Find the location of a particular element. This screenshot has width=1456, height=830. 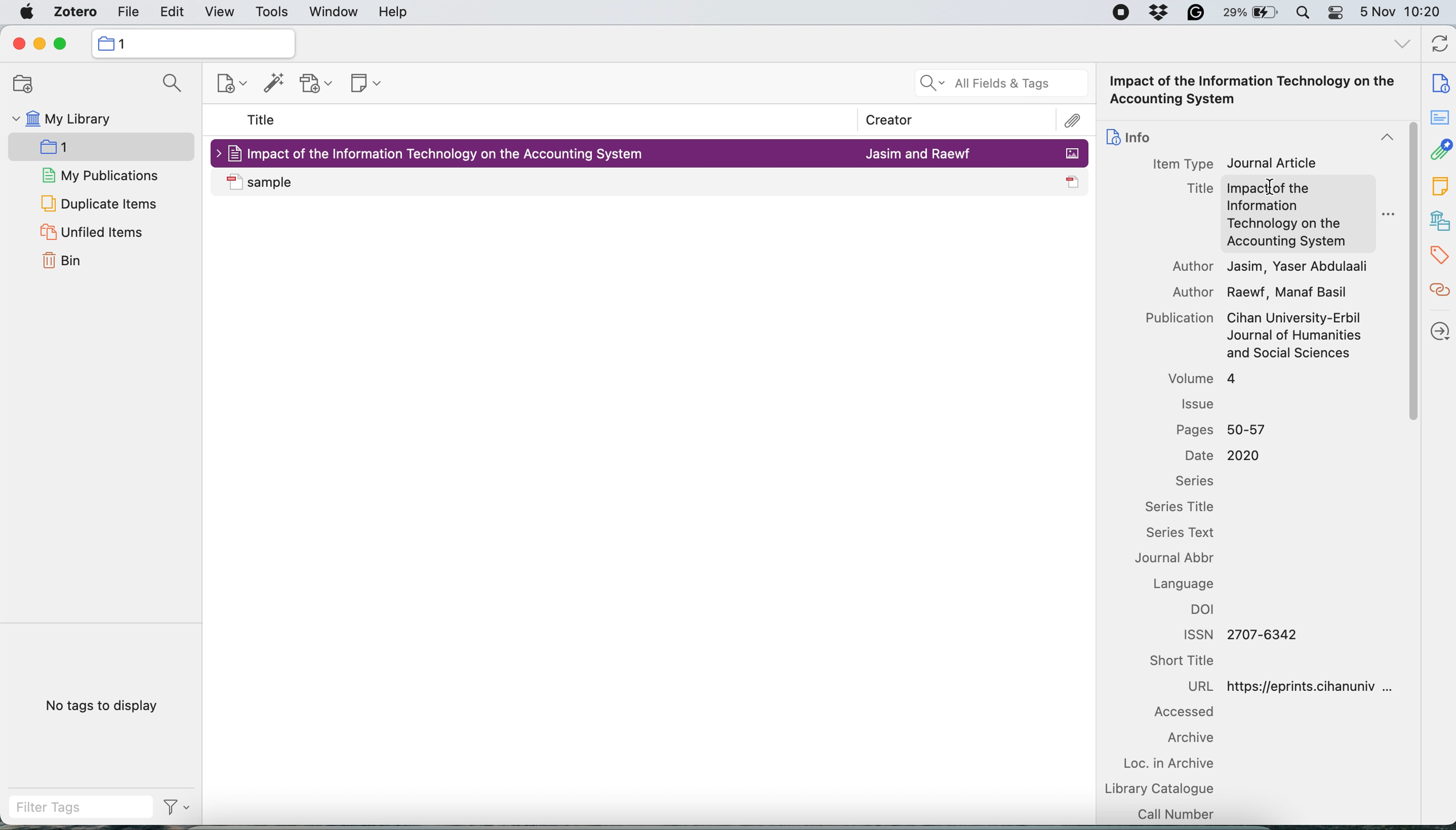

series is located at coordinates (1195, 482).